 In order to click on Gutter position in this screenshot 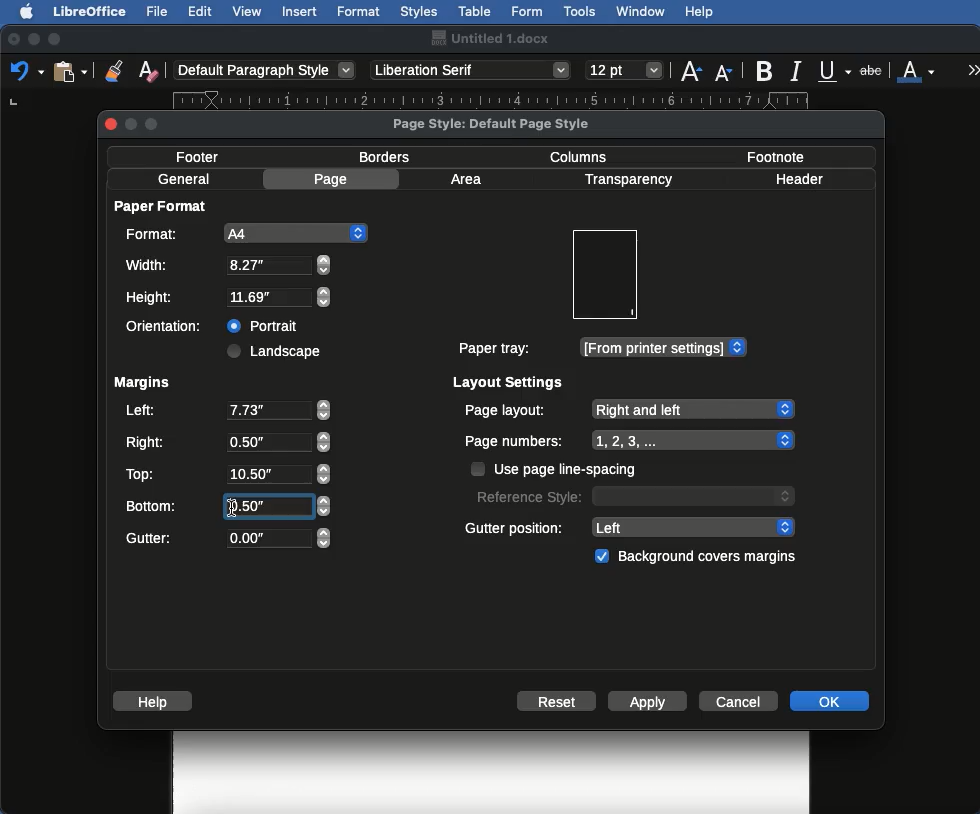, I will do `click(631, 526)`.